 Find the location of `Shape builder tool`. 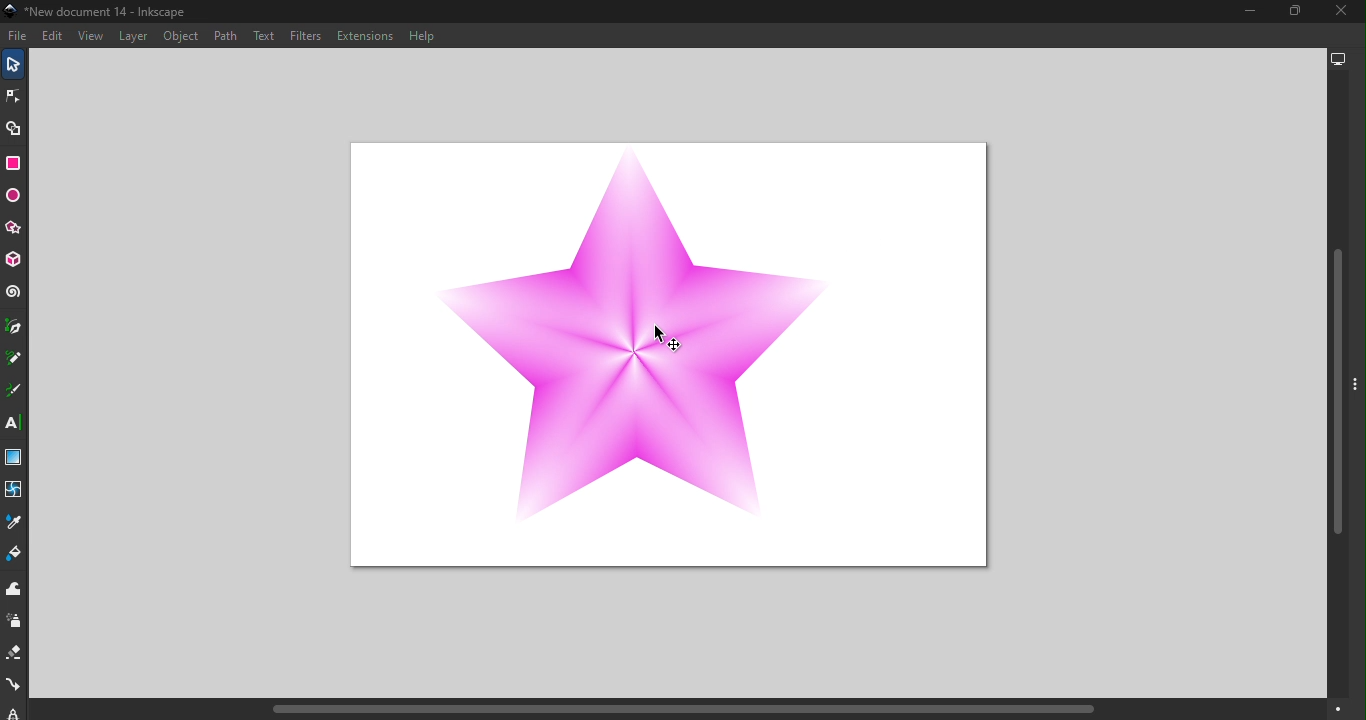

Shape builder tool is located at coordinates (12, 130).